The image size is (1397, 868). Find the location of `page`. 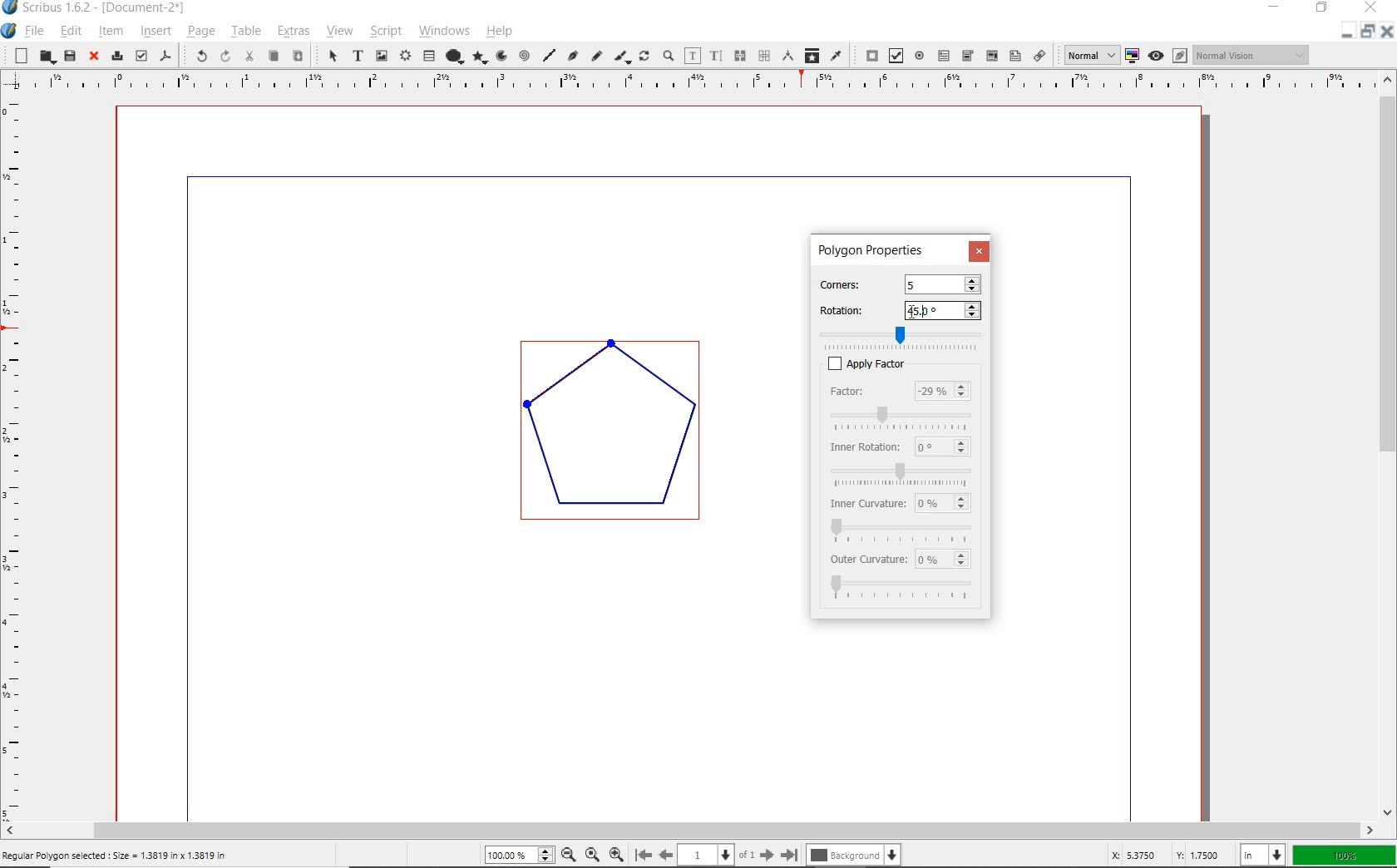

page is located at coordinates (200, 32).